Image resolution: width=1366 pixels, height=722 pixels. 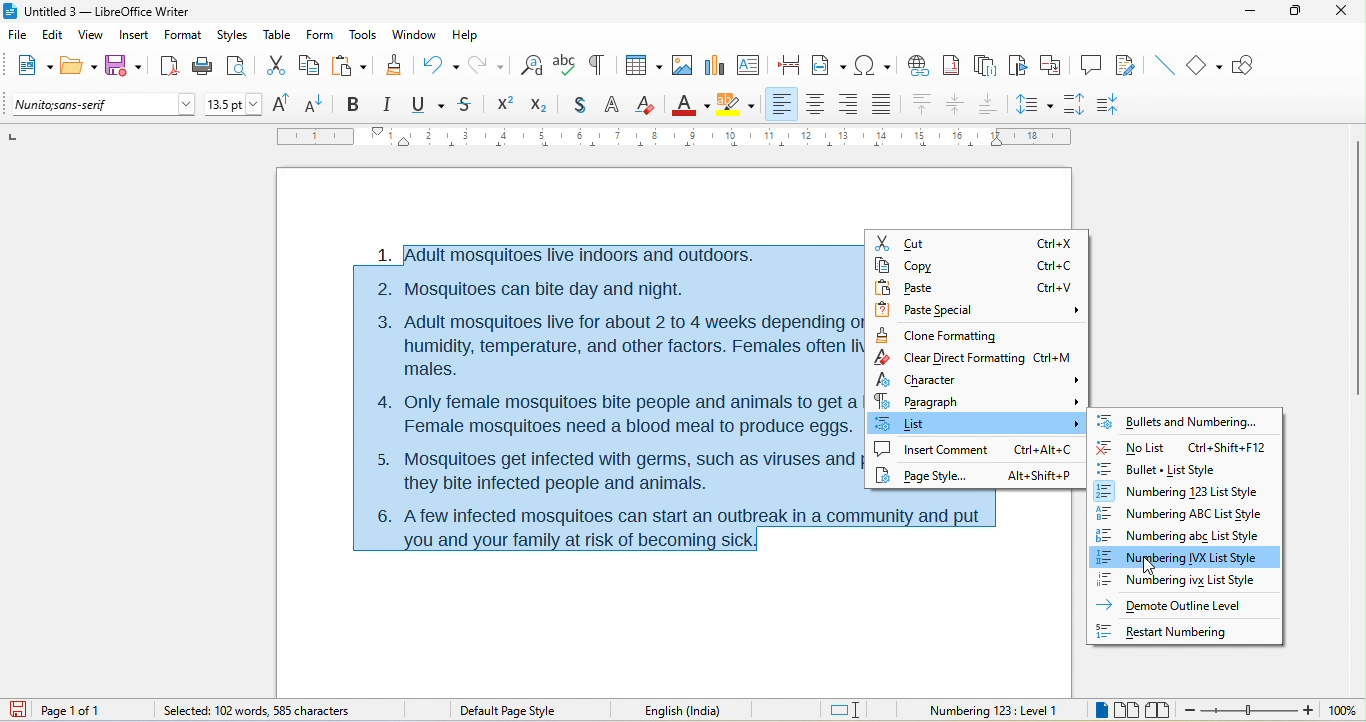 What do you see at coordinates (441, 63) in the screenshot?
I see `undo` at bounding box center [441, 63].